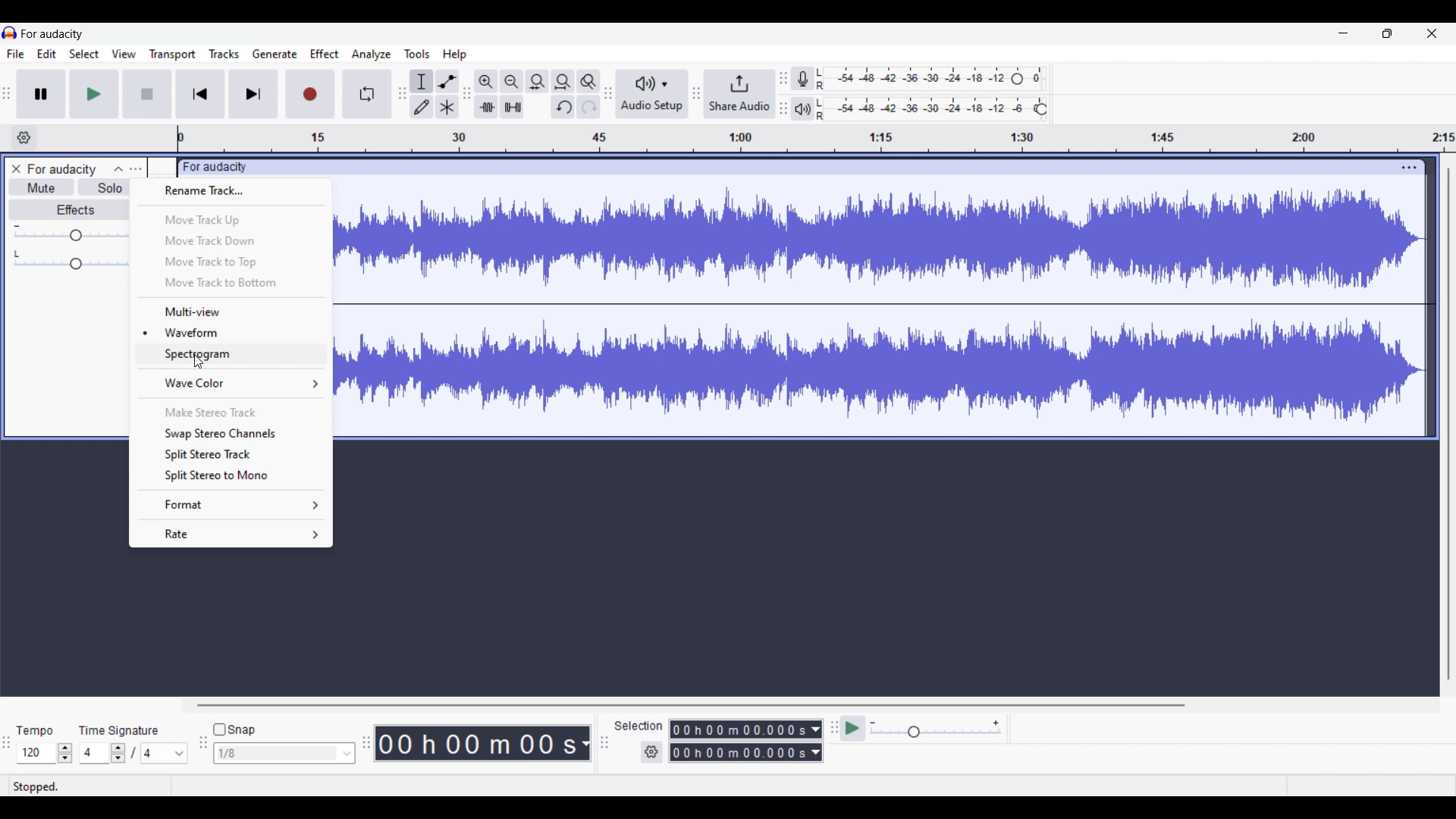 Image resolution: width=1456 pixels, height=819 pixels. Describe the element at coordinates (253, 94) in the screenshot. I see `Skip/Select to end` at that location.